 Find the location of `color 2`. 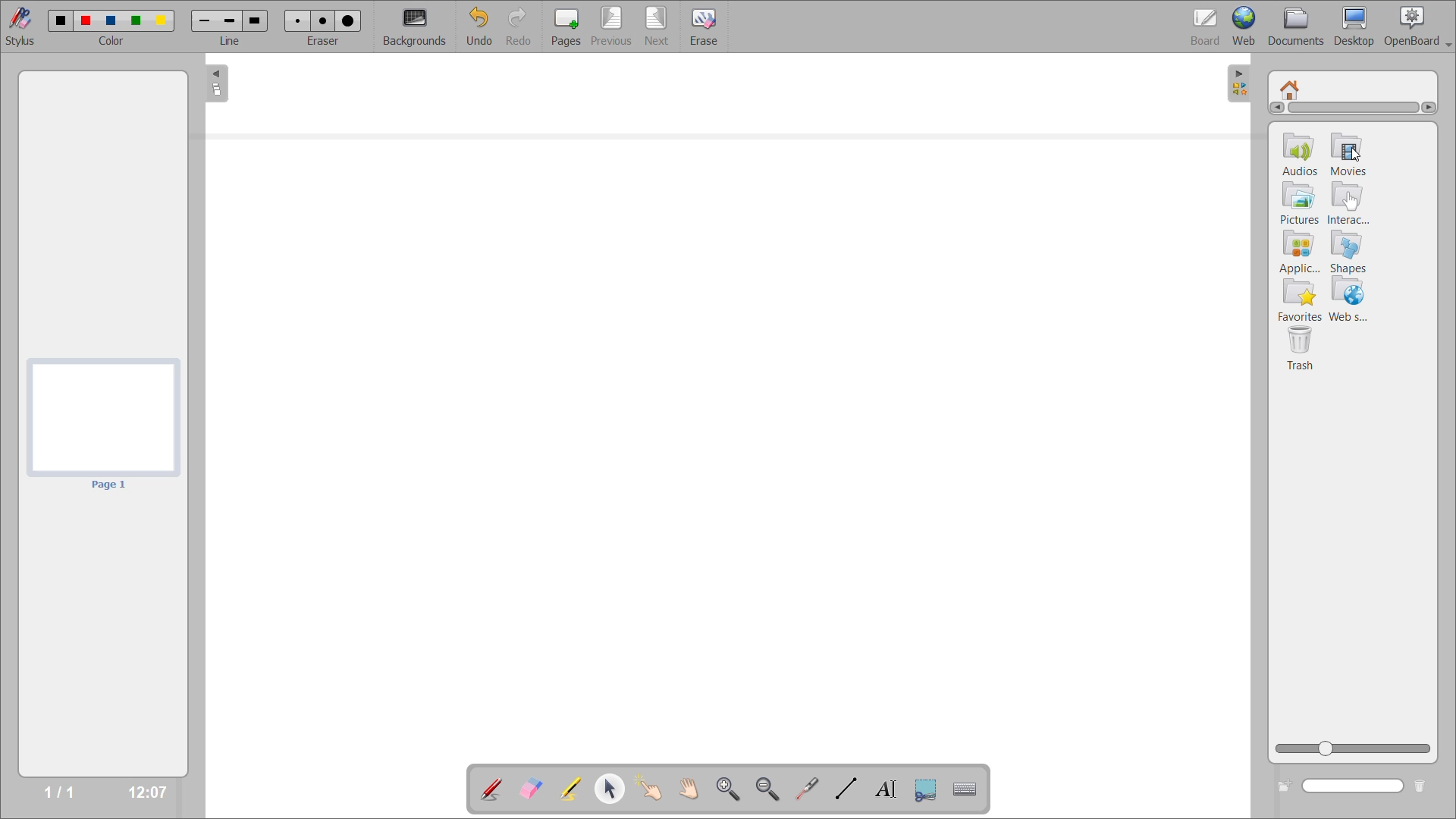

color 2 is located at coordinates (86, 20).